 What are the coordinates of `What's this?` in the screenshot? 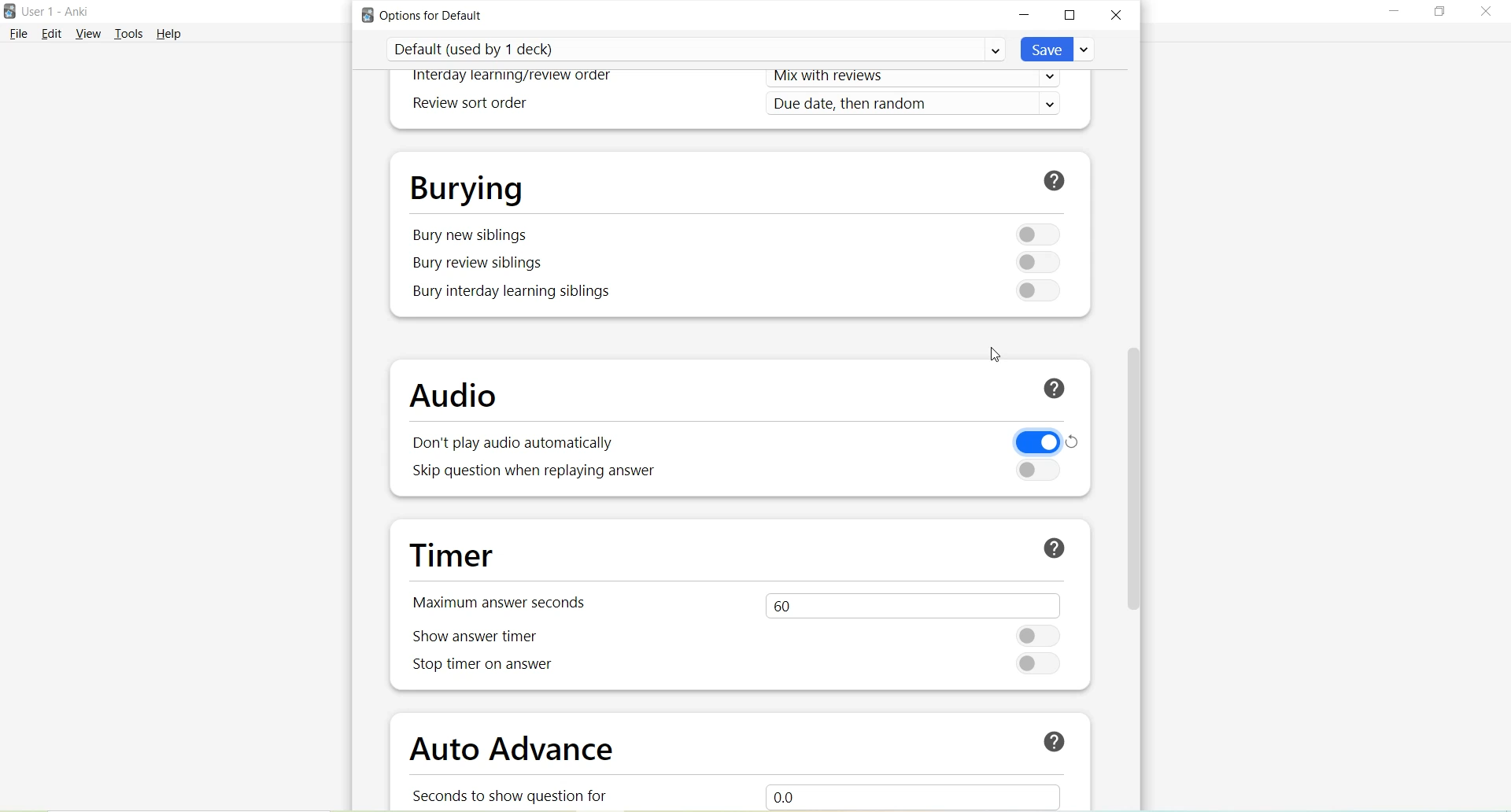 It's located at (1057, 179).